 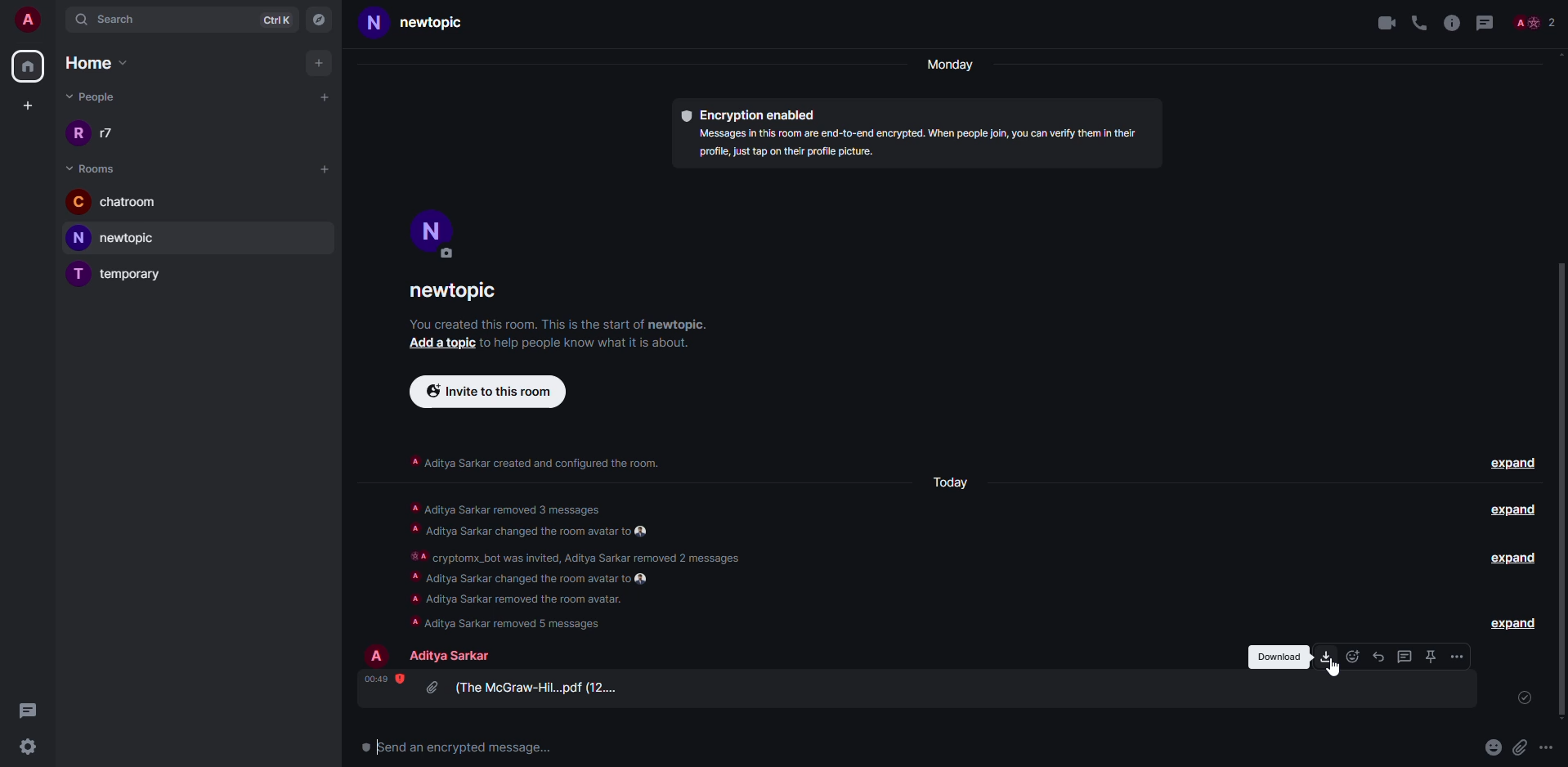 I want to click on download, so click(x=1275, y=657).